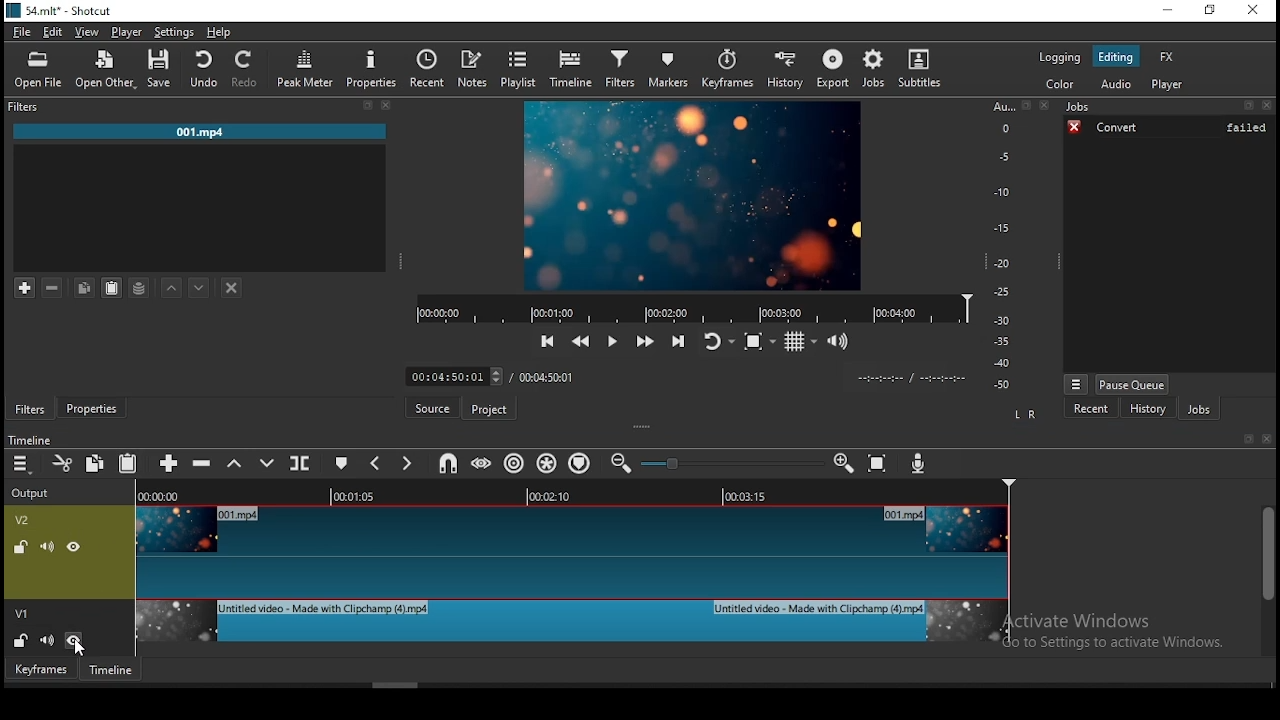 This screenshot has width=1280, height=720. Describe the element at coordinates (25, 286) in the screenshot. I see `add filter` at that location.